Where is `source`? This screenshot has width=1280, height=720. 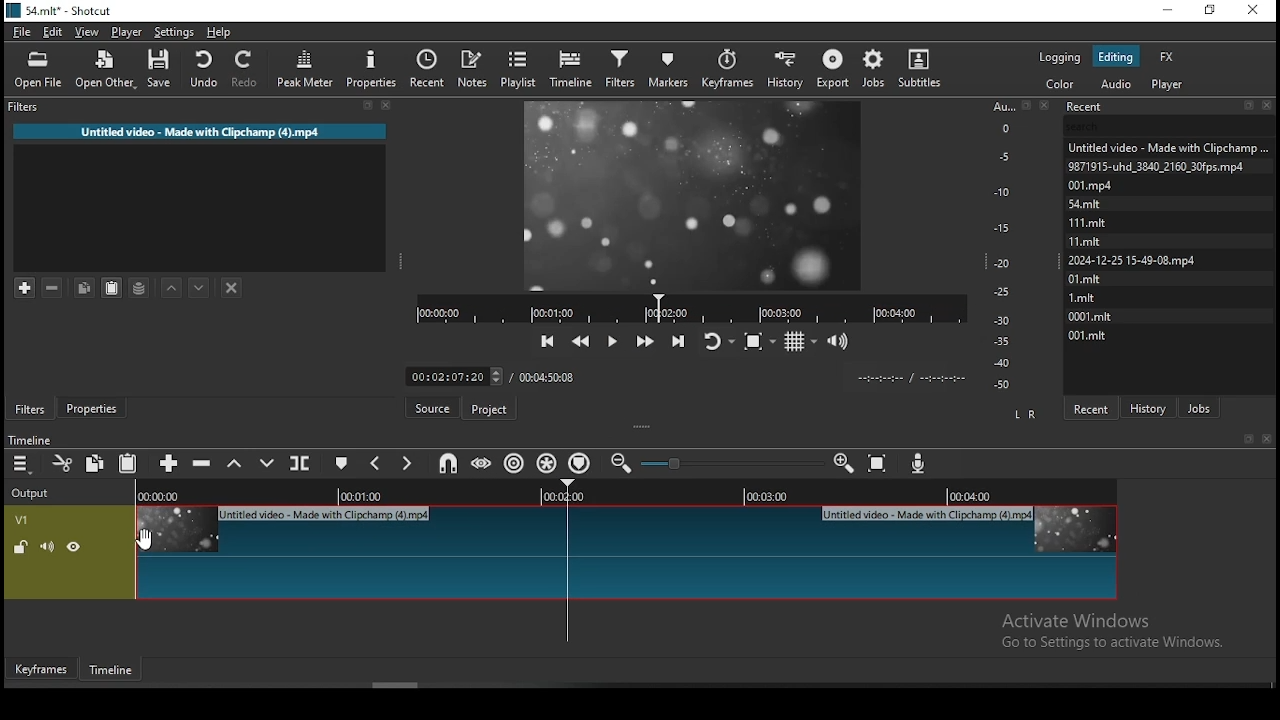 source is located at coordinates (434, 408).